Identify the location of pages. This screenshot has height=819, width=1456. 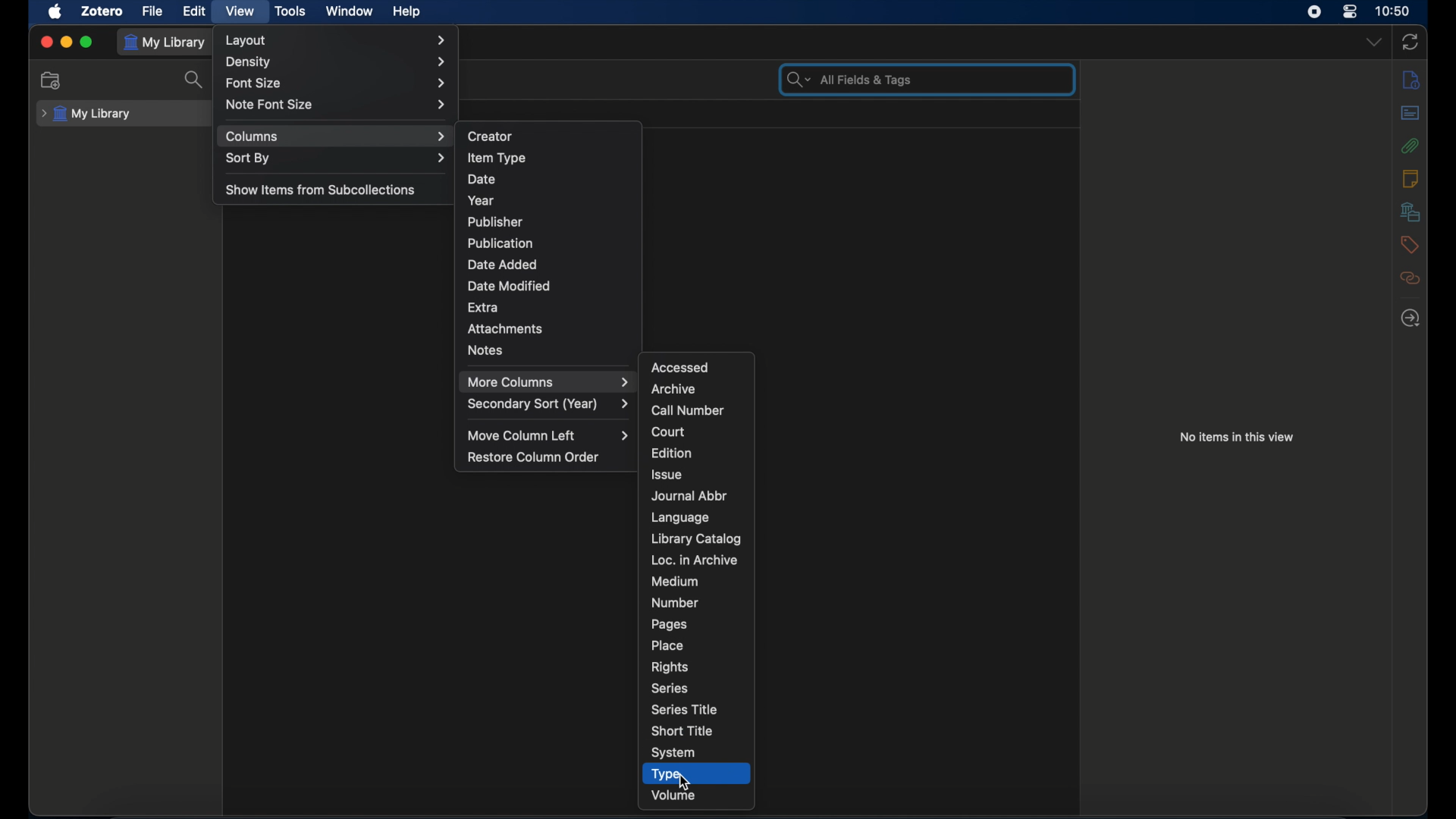
(669, 624).